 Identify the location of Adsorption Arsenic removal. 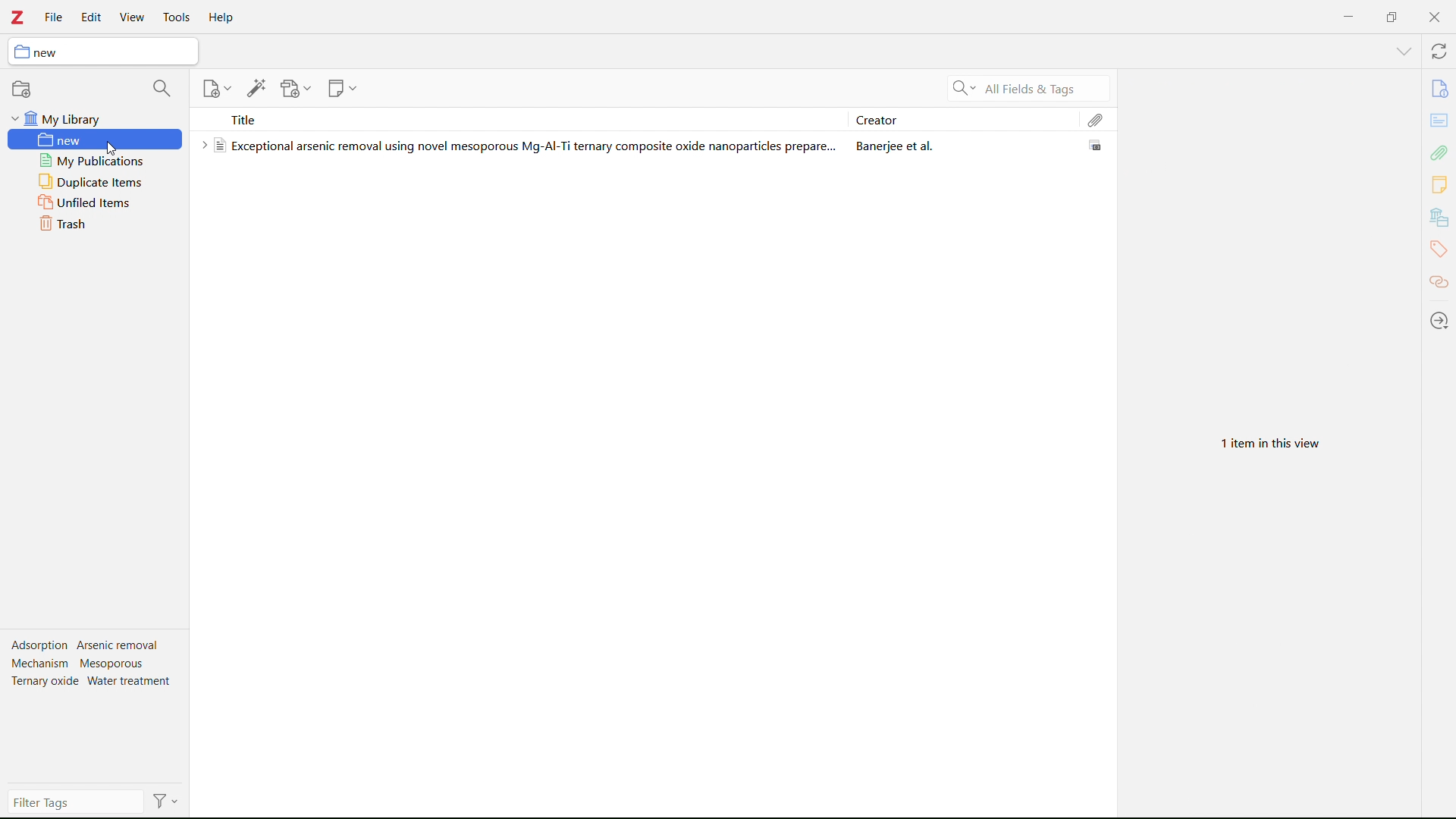
(81, 645).